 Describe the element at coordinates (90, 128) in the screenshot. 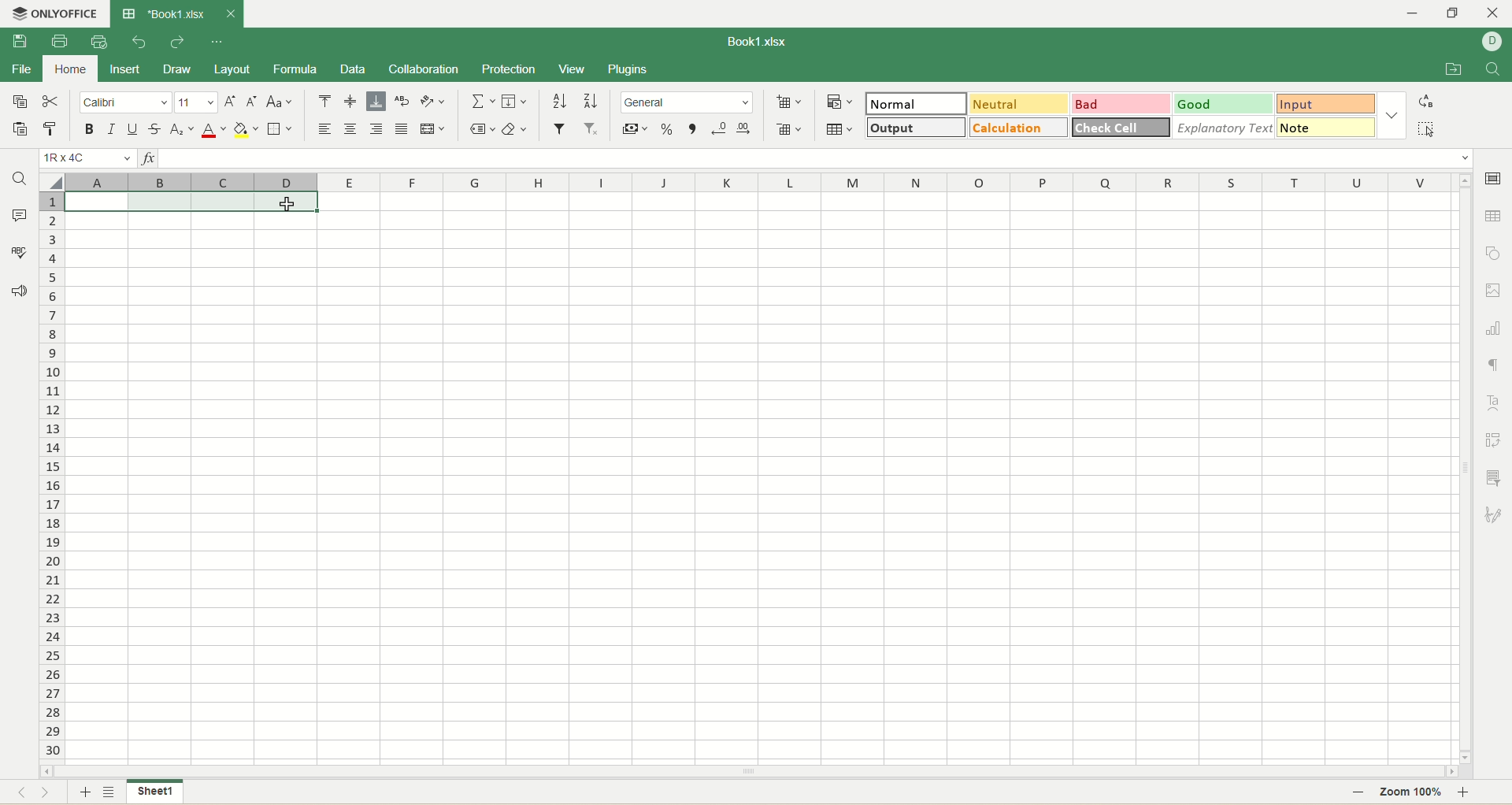

I see `bold` at that location.